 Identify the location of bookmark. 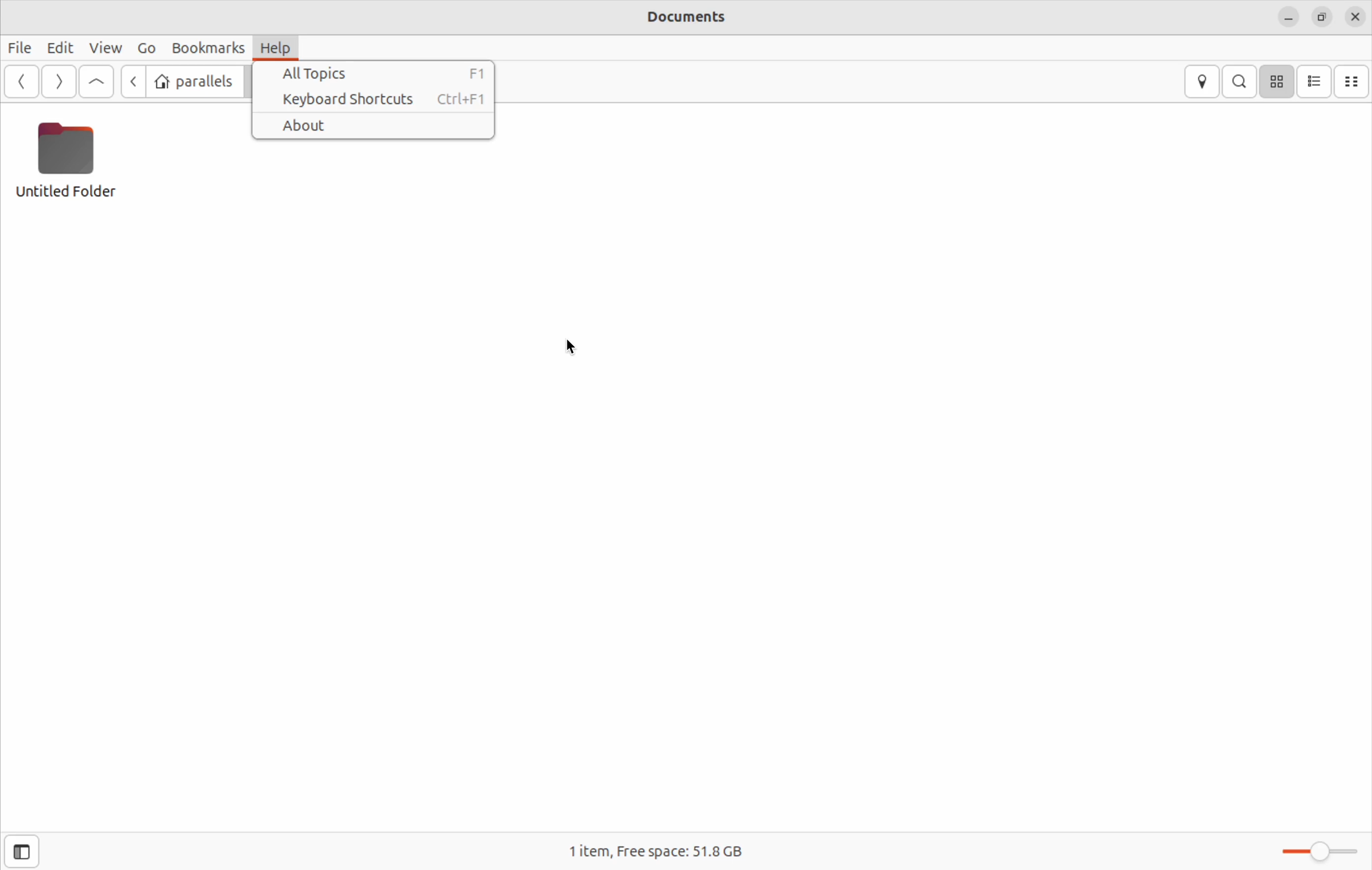
(208, 47).